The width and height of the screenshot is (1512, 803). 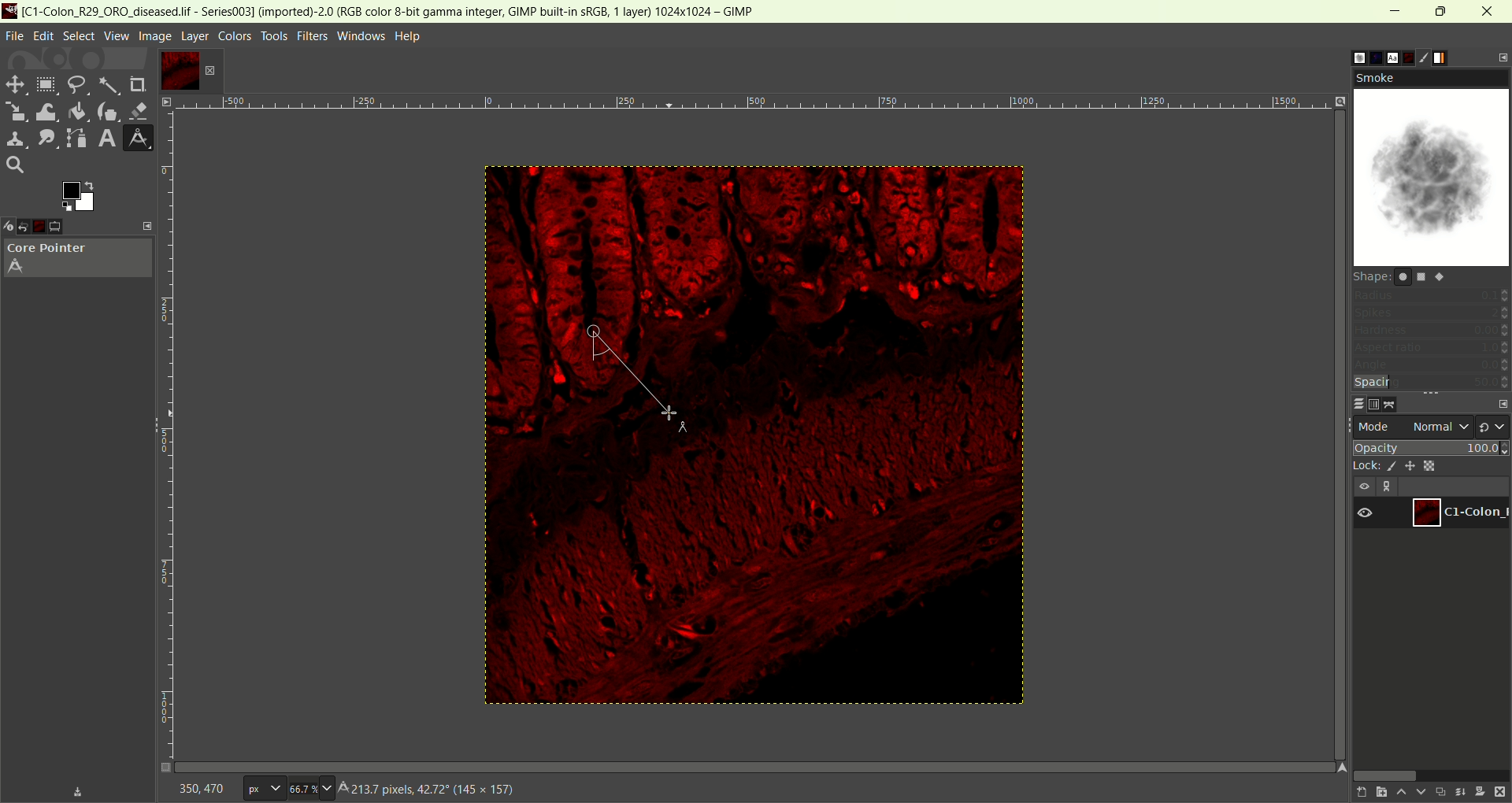 I want to click on logo, so click(x=10, y=10).